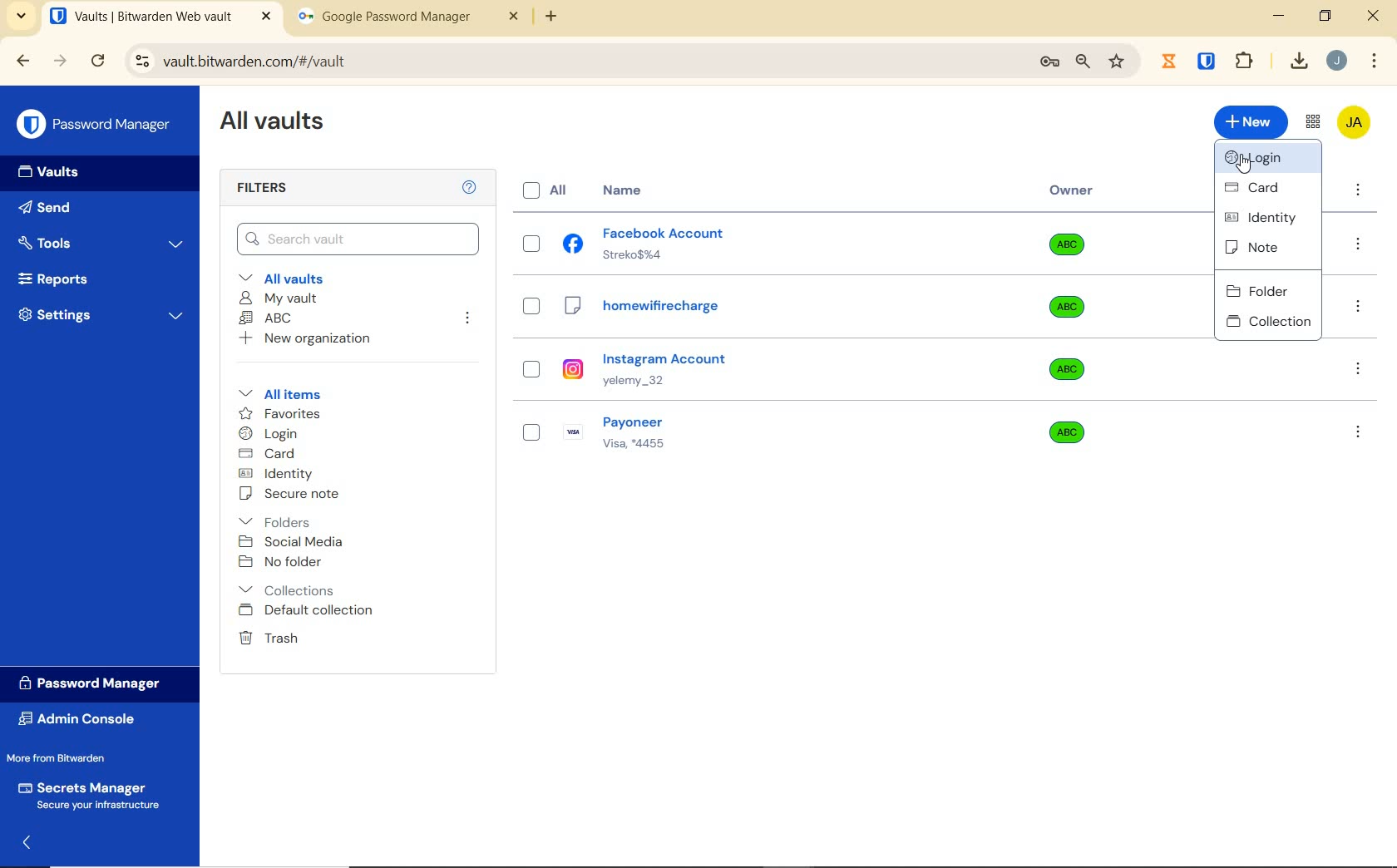  I want to click on restore, so click(1324, 16).